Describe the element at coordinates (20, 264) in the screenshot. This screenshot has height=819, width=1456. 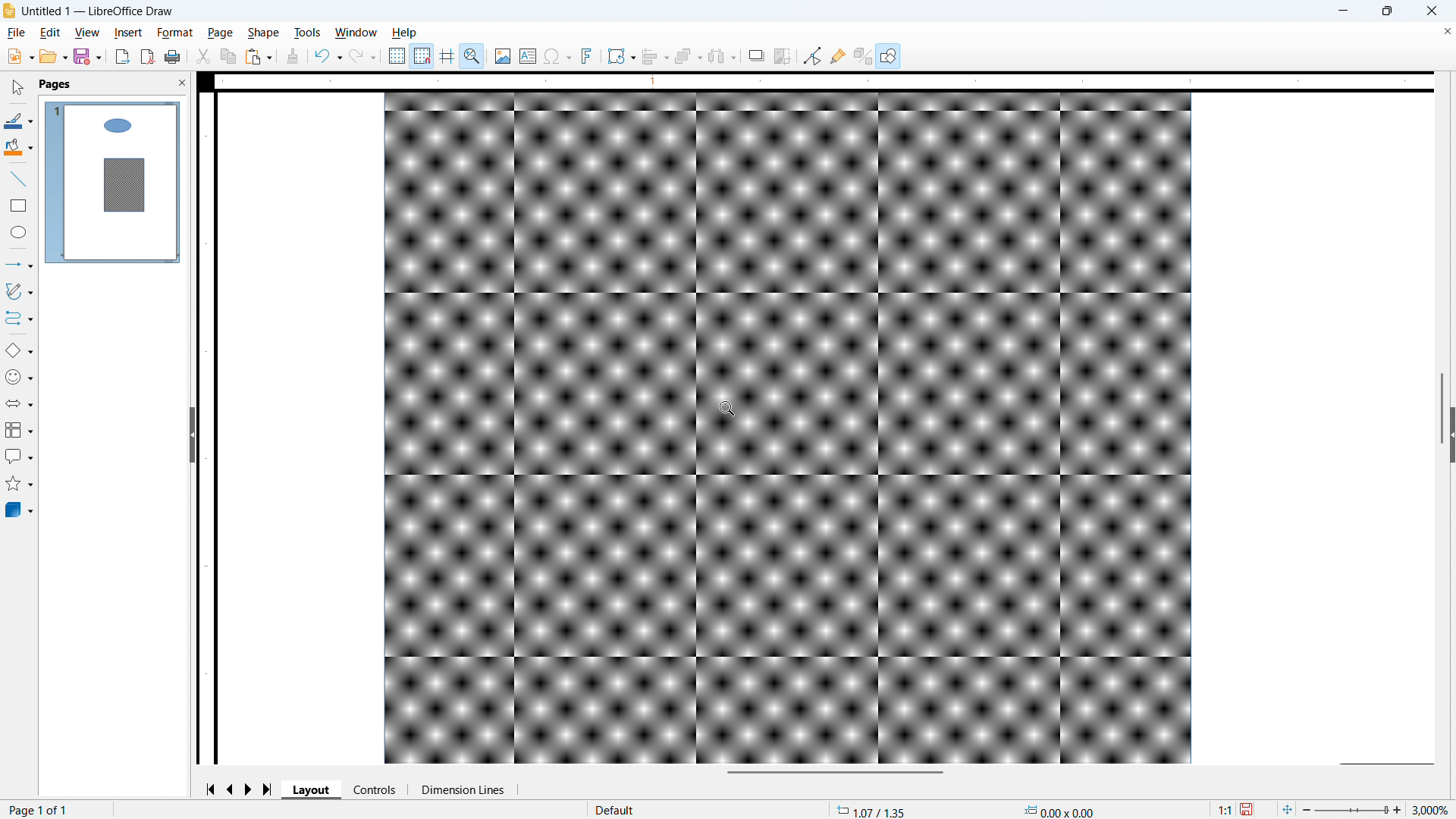
I see `Lines and arrows ` at that location.